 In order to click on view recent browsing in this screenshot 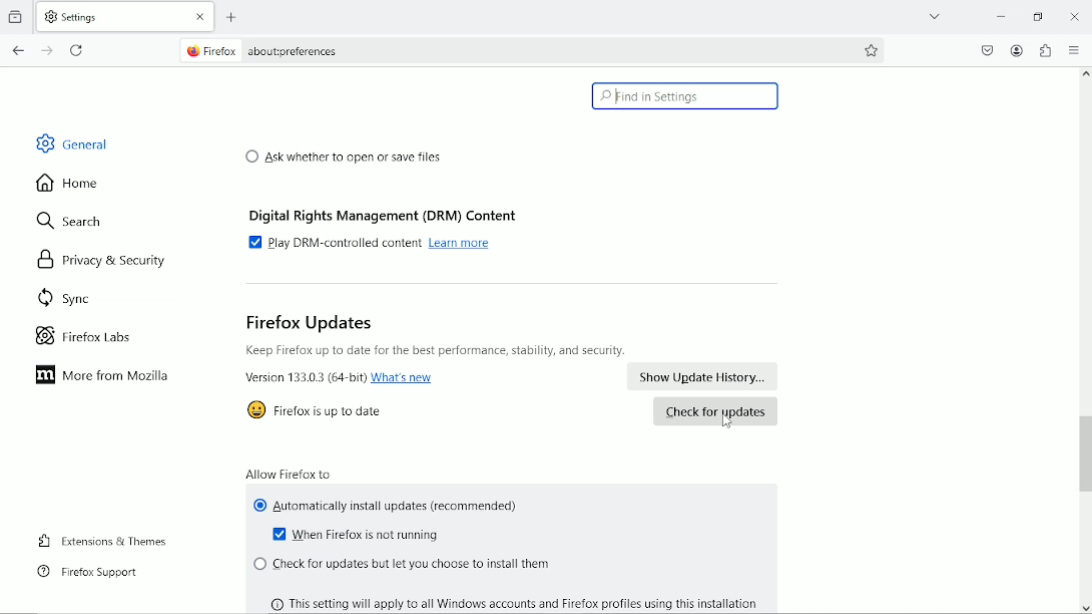, I will do `click(17, 18)`.